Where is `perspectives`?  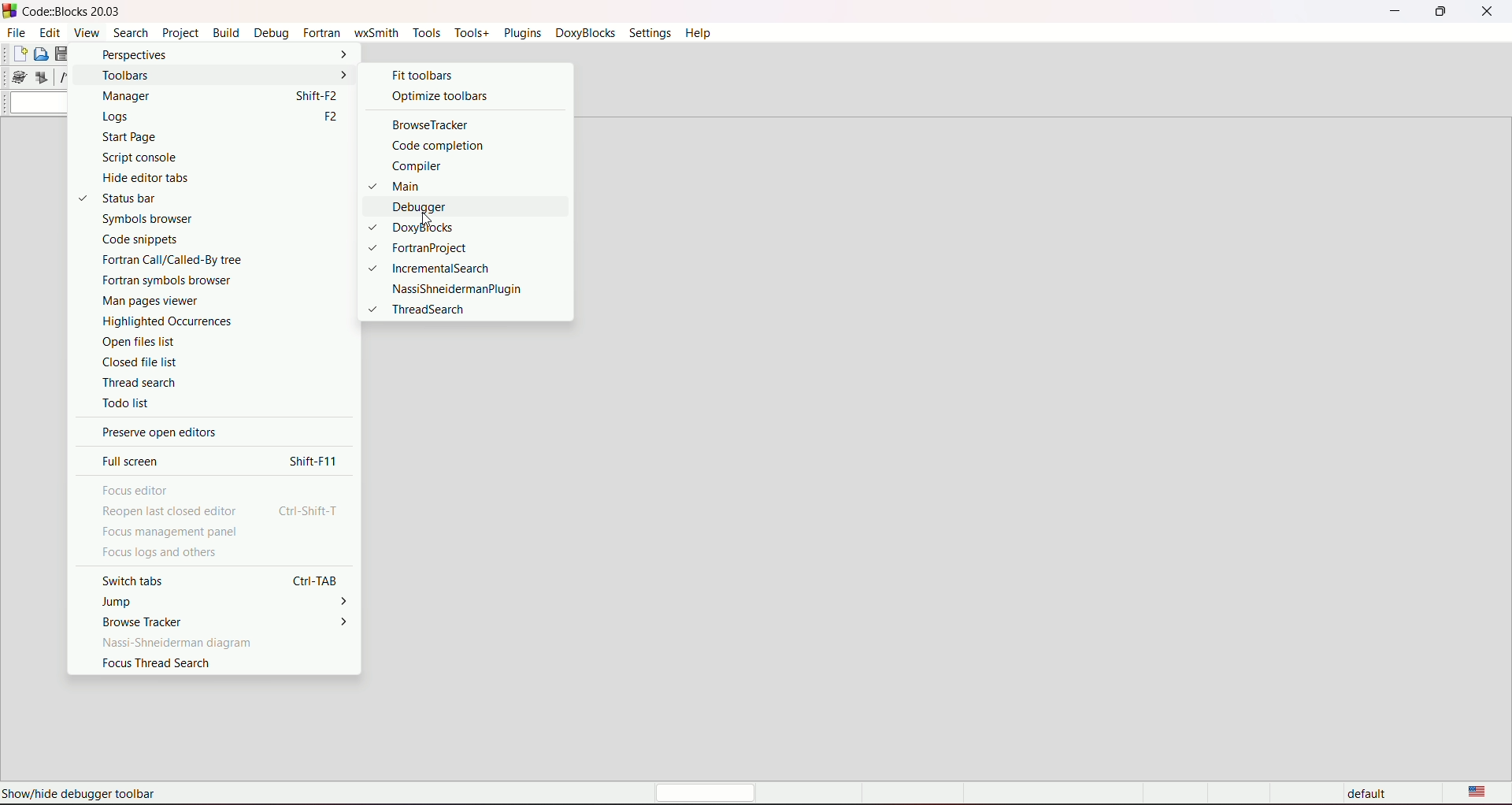 perspectives is located at coordinates (205, 55).